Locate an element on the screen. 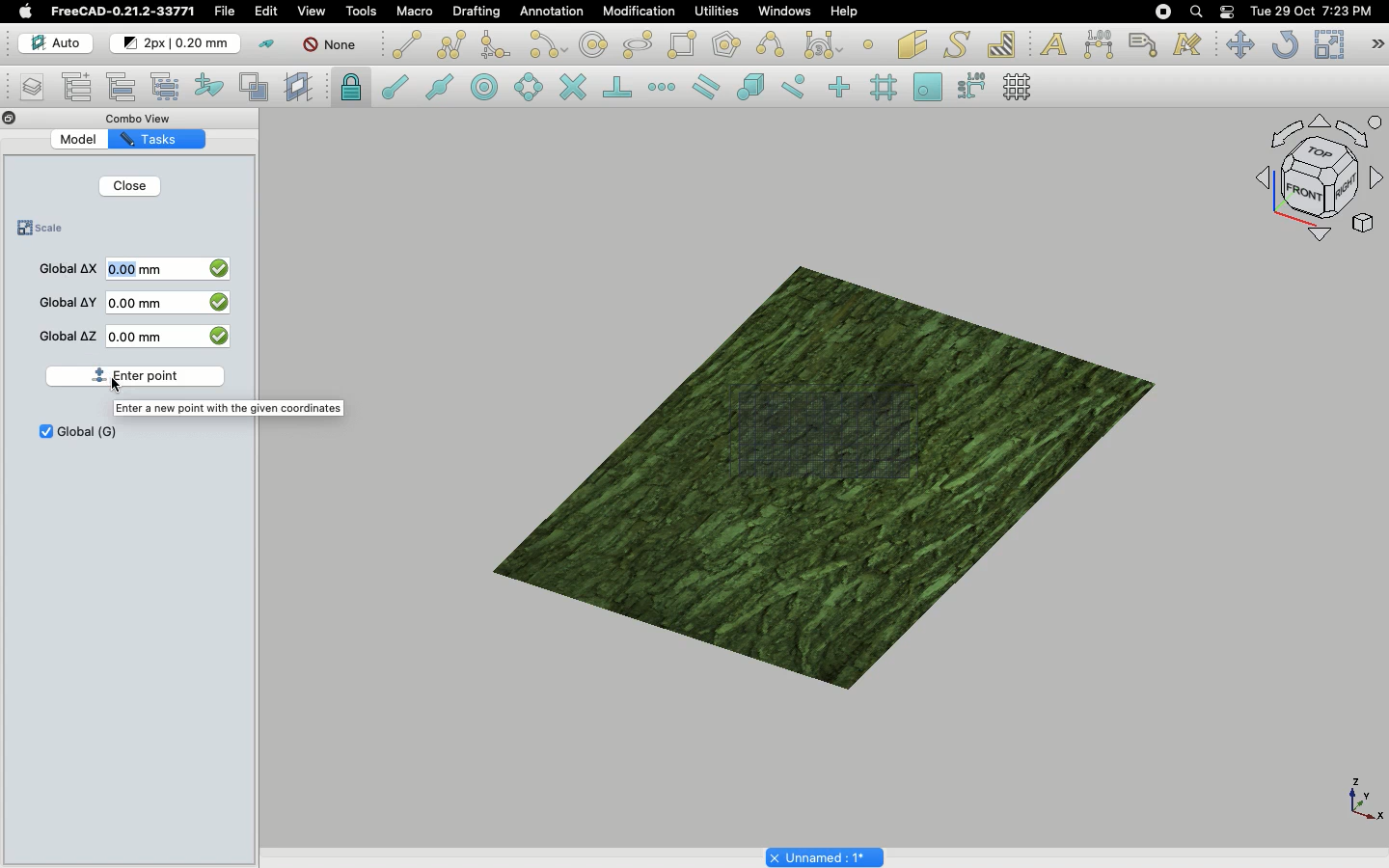 This screenshot has height=868, width=1389. Toggle normal/wireframe display is located at coordinates (255, 87).